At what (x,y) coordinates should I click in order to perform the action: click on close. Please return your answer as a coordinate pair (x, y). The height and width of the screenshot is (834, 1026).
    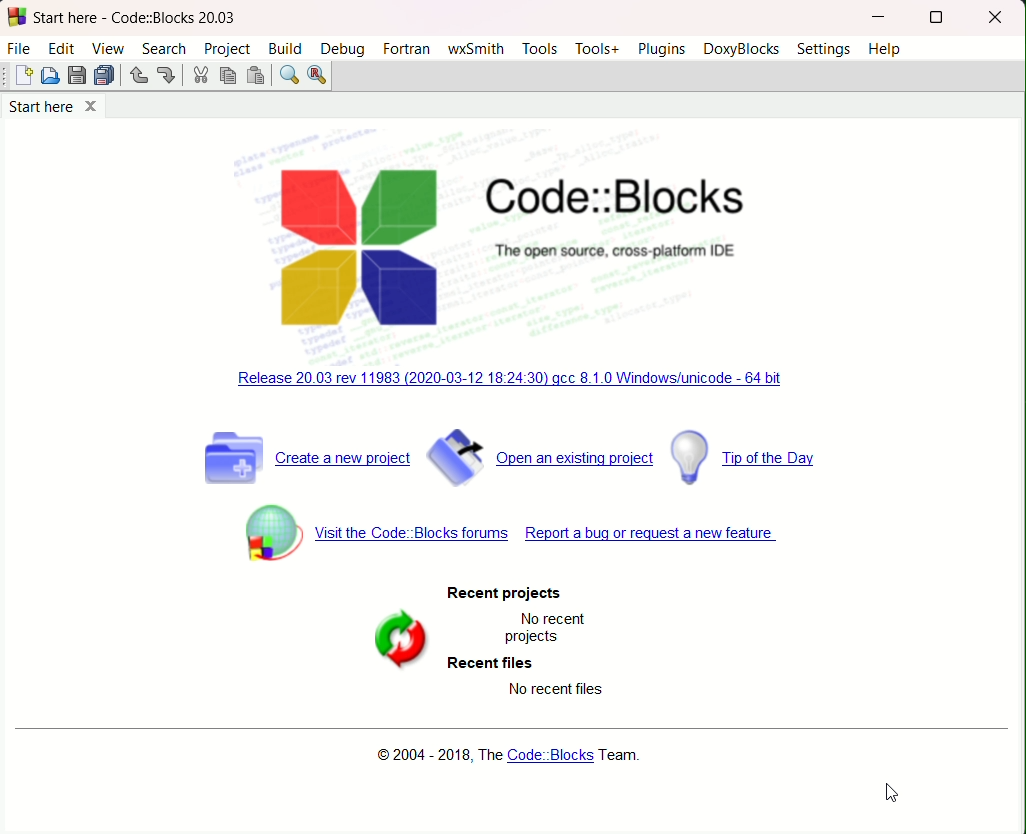
    Looking at the image, I should click on (996, 17).